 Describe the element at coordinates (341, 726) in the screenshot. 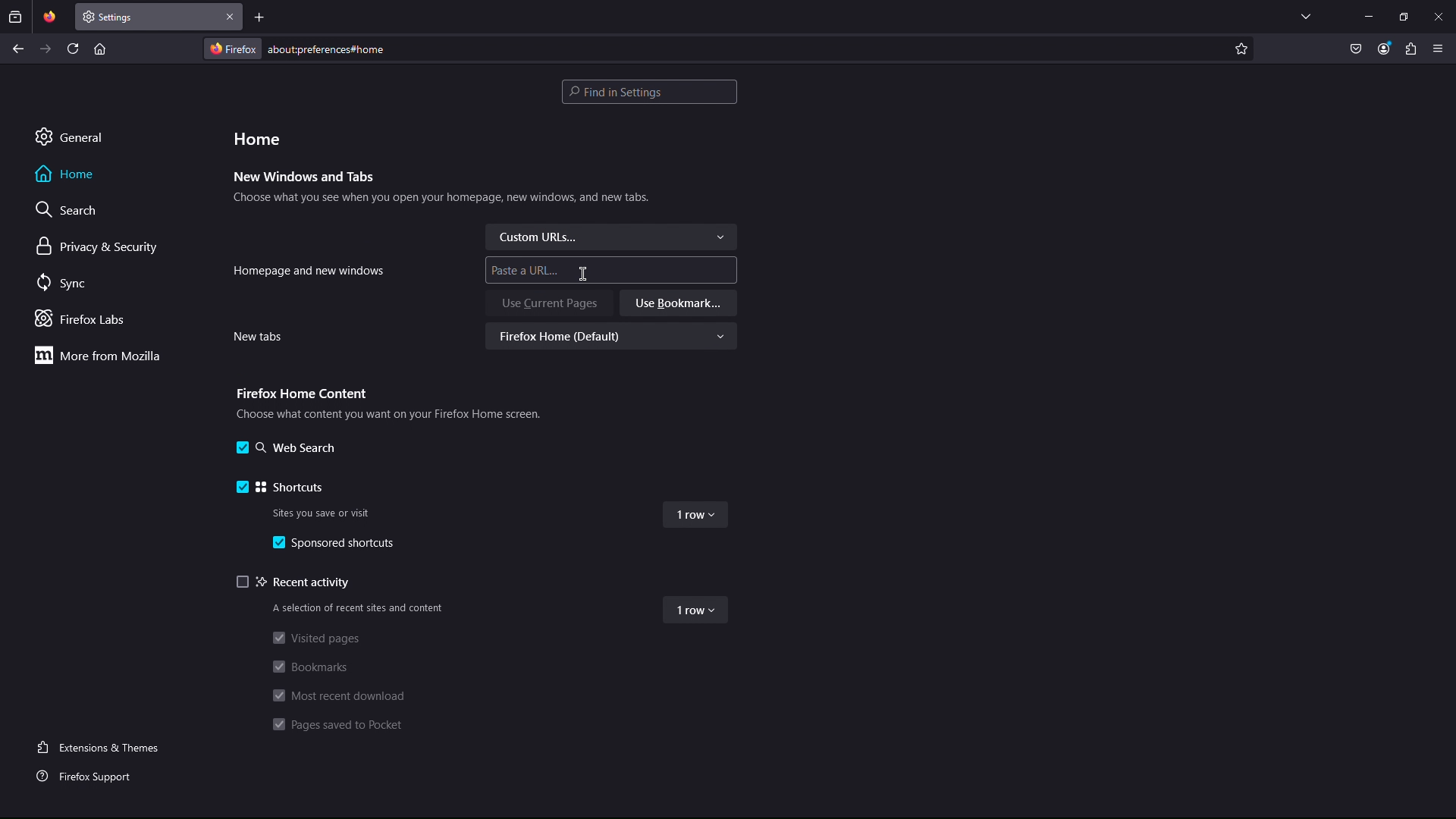

I see `Pages saved to Pocket` at that location.